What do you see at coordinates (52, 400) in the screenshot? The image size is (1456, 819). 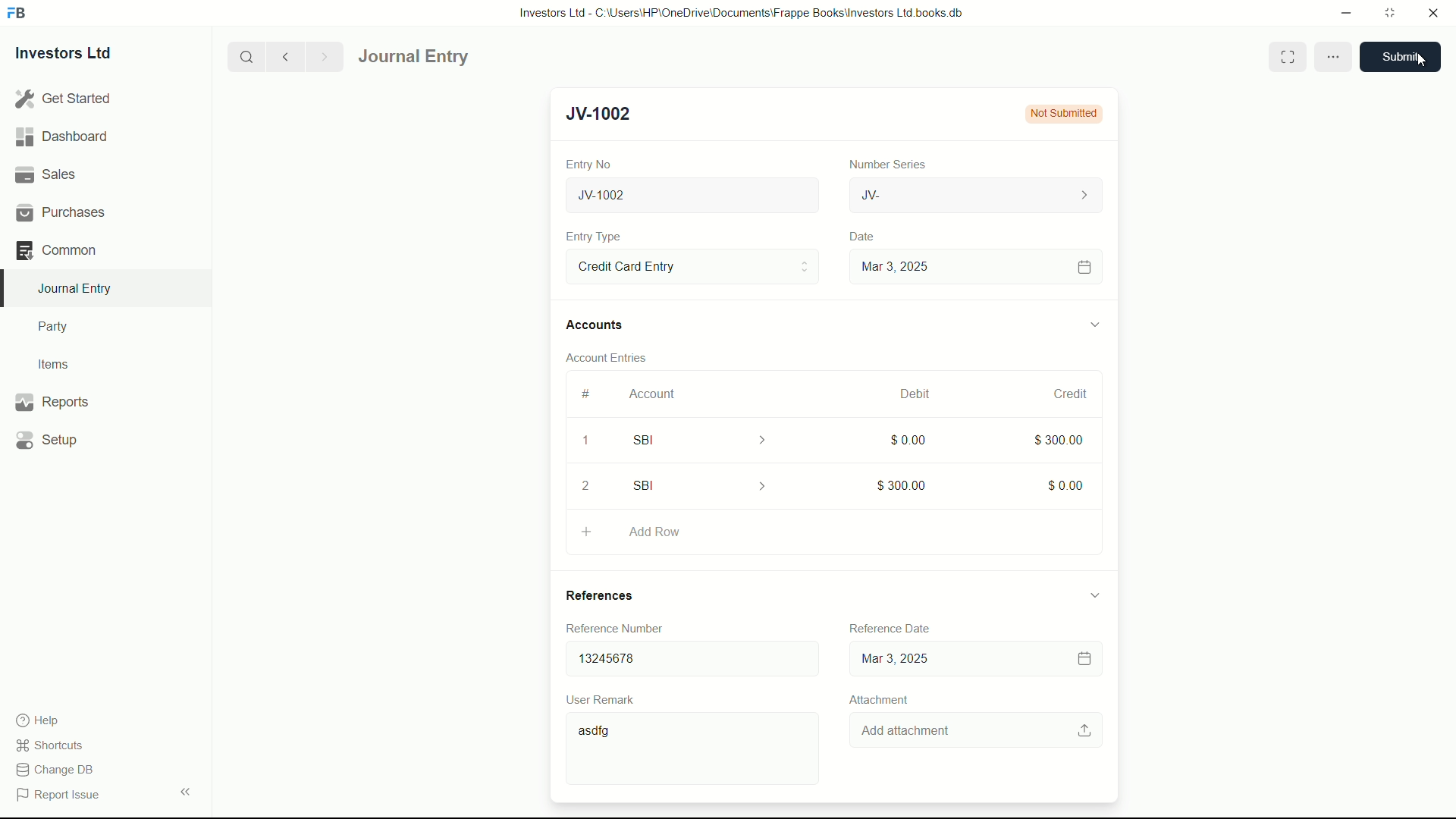 I see `Reports .` at bounding box center [52, 400].